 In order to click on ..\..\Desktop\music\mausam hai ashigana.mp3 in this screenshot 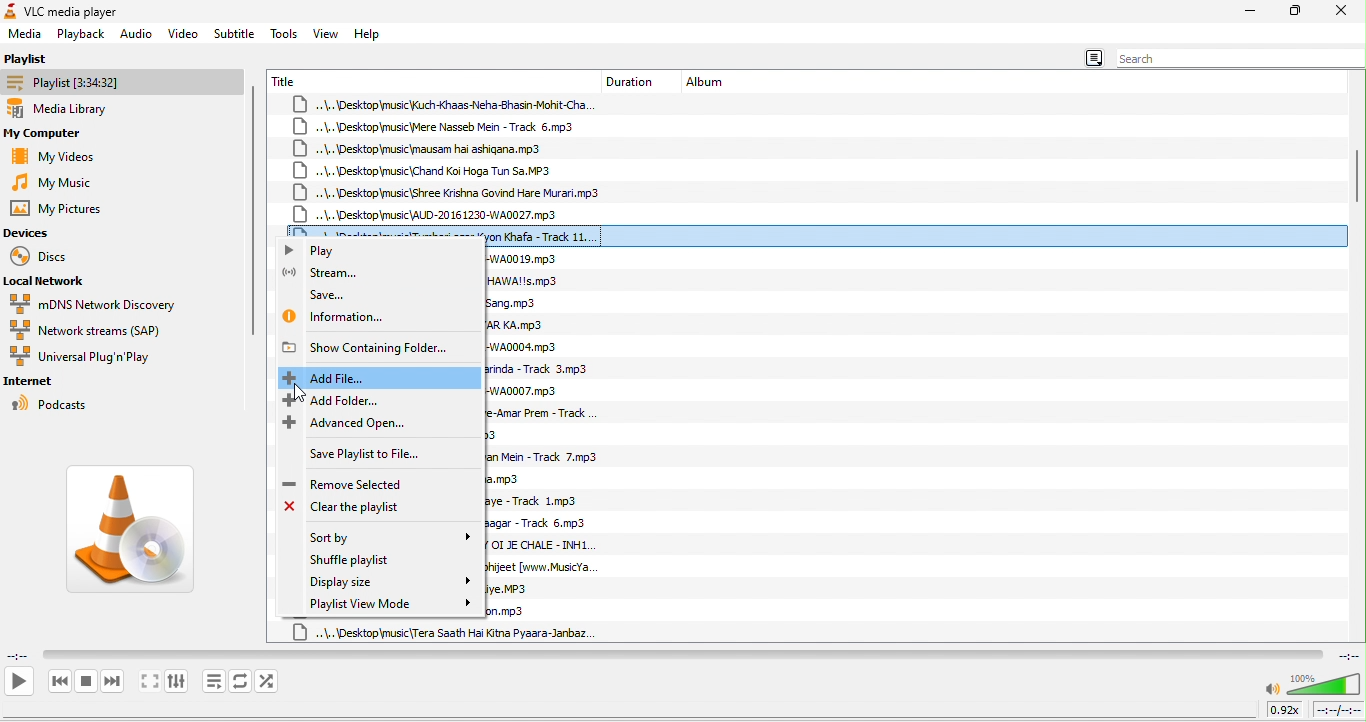, I will do `click(435, 147)`.